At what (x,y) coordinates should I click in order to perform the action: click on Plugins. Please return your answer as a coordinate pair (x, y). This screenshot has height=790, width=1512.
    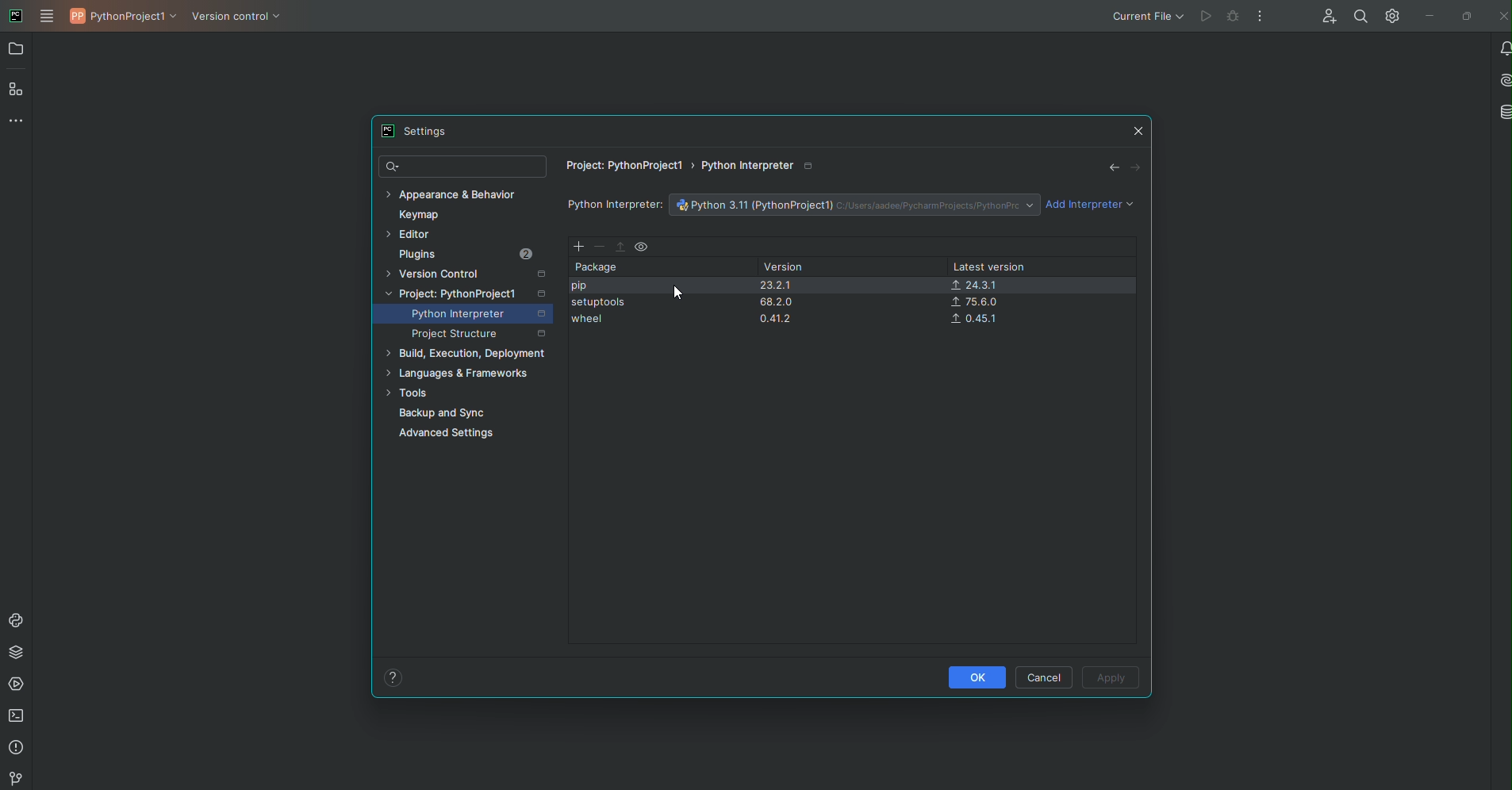
    Looking at the image, I should click on (466, 255).